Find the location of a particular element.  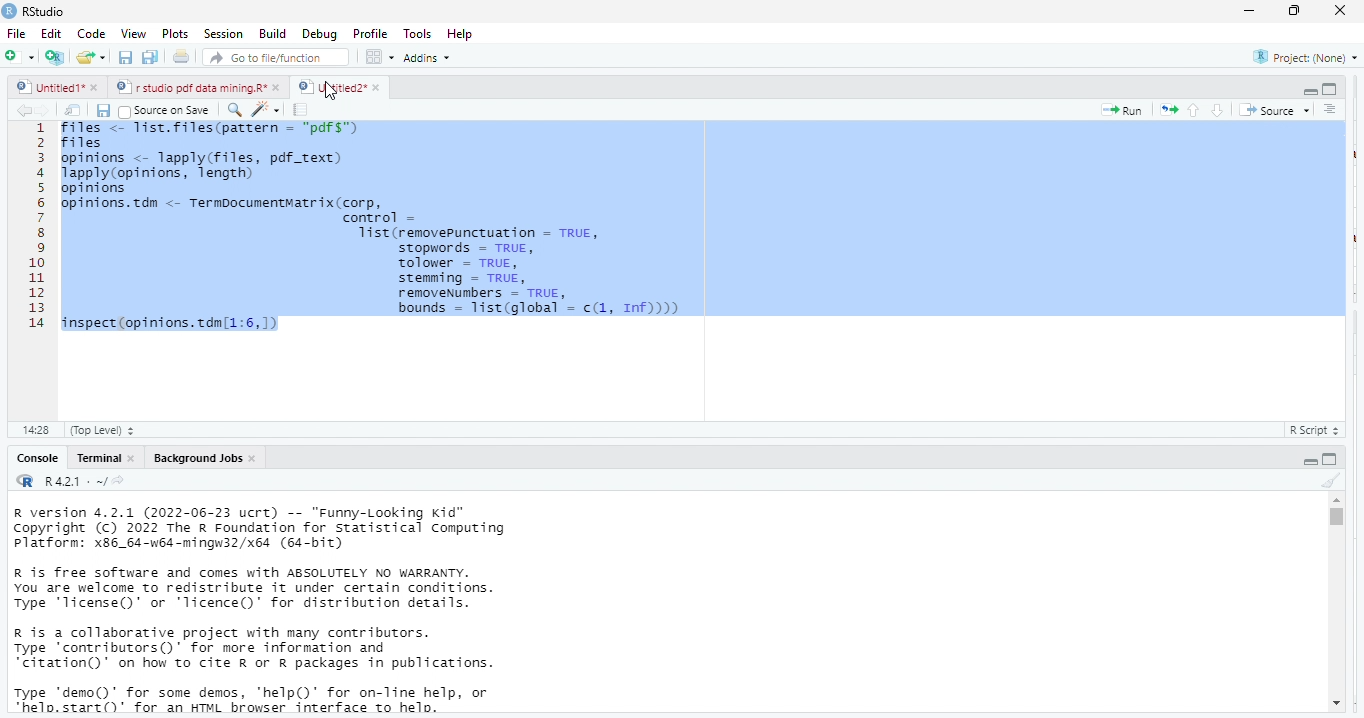

rs studio logo is located at coordinates (9, 10).